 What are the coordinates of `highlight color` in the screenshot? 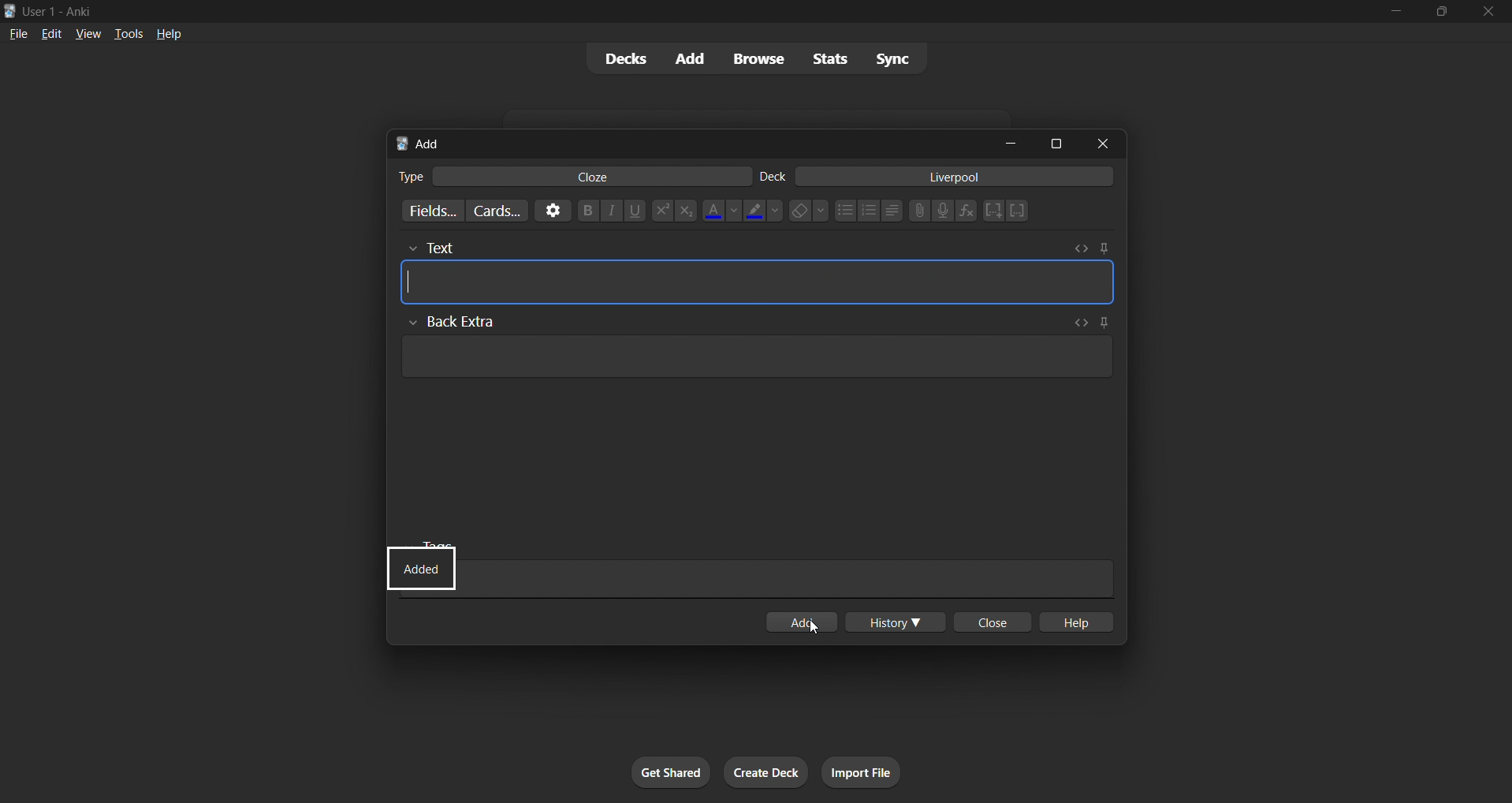 It's located at (763, 214).